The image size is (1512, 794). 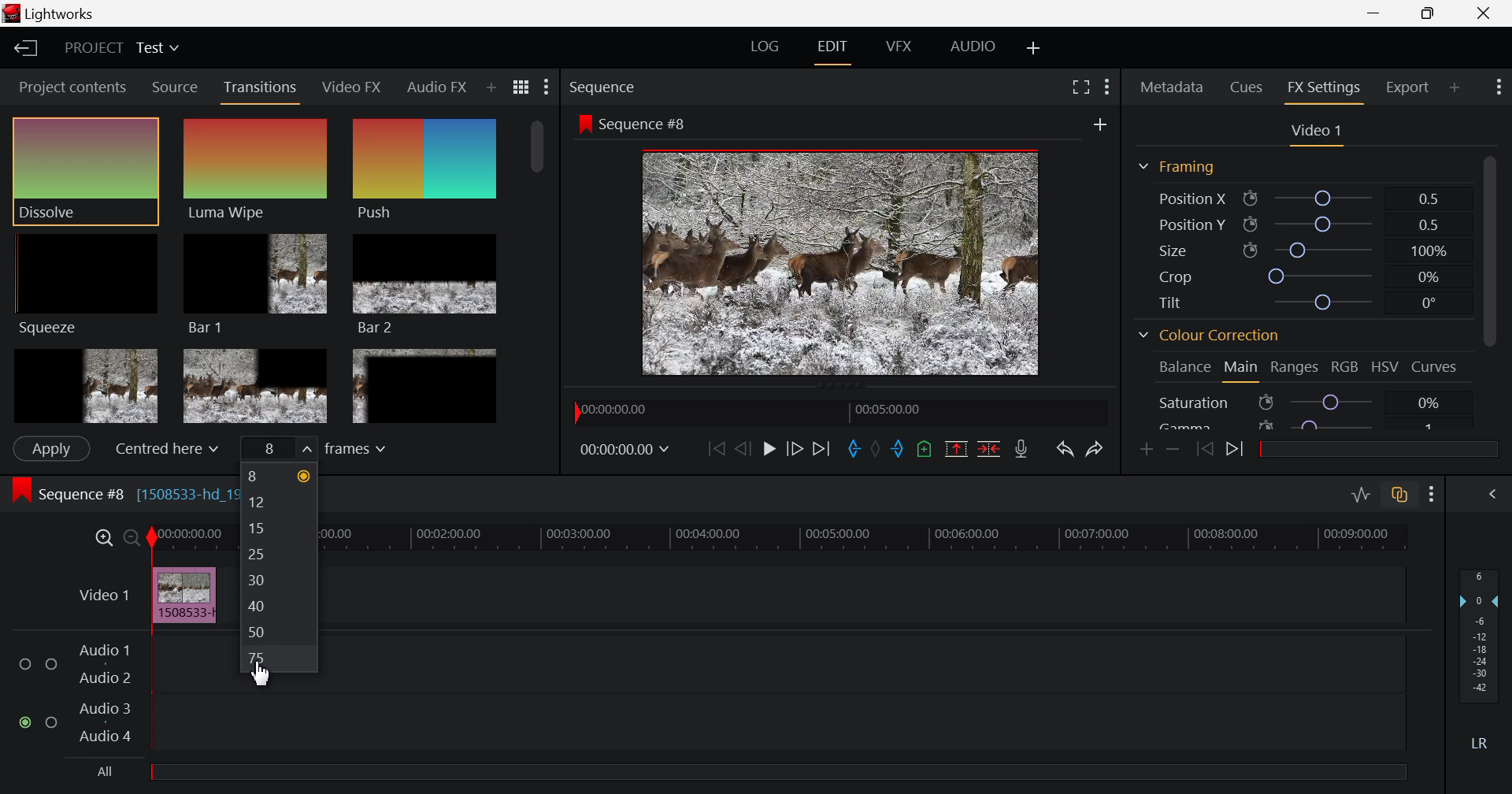 What do you see at coordinates (71, 87) in the screenshot?
I see `Project contents` at bounding box center [71, 87].